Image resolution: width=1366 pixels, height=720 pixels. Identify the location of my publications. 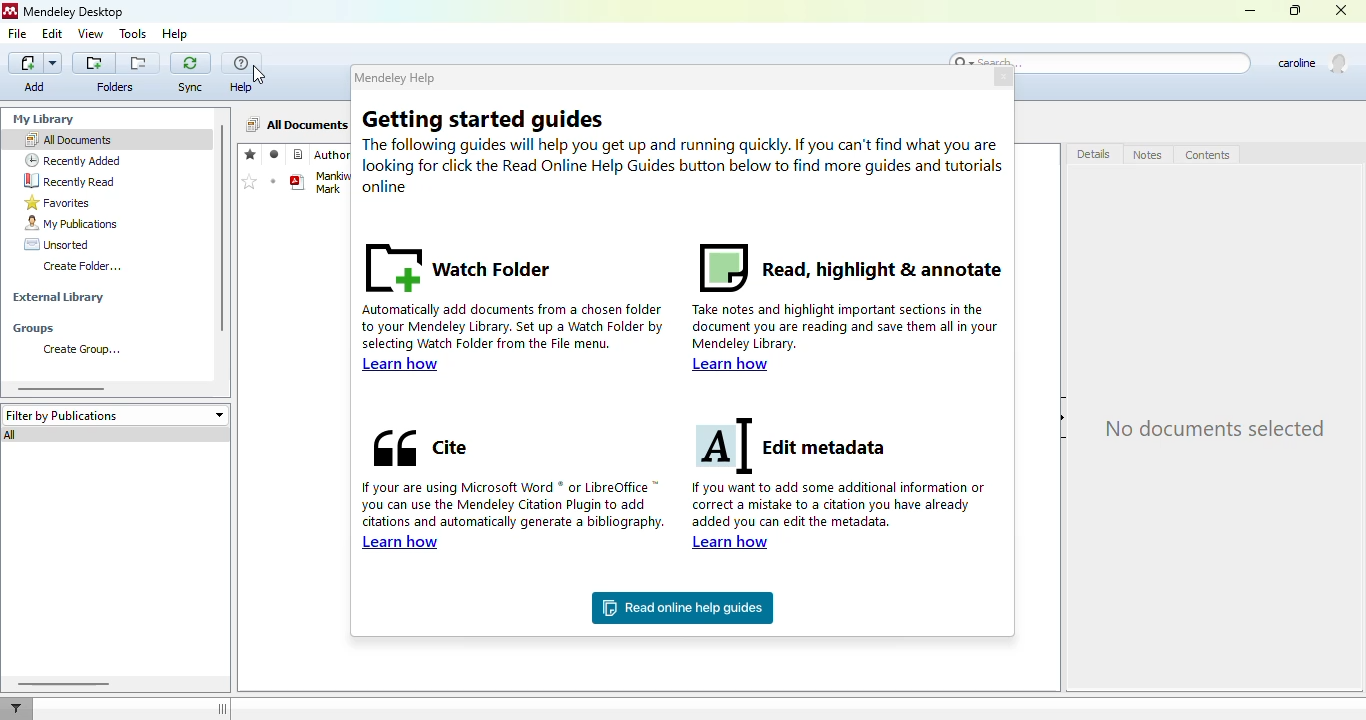
(73, 223).